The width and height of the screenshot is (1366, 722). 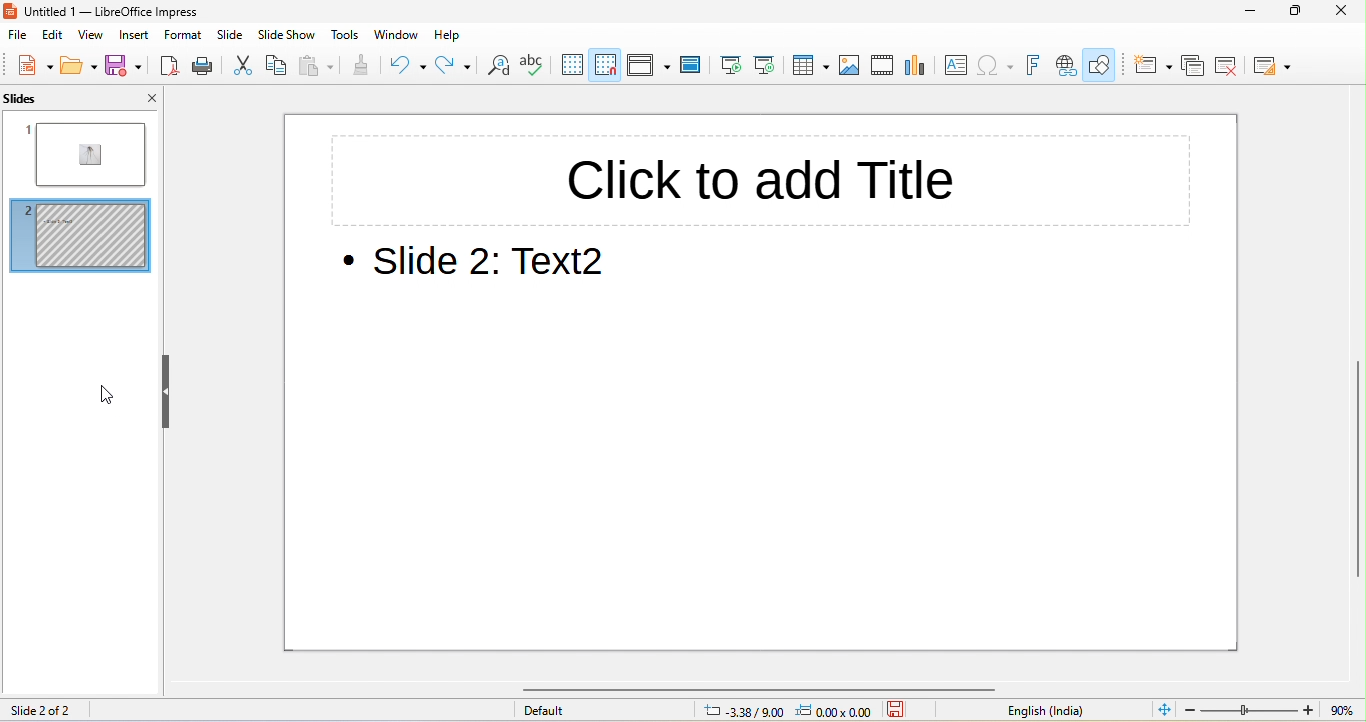 I want to click on find and replace, so click(x=502, y=67).